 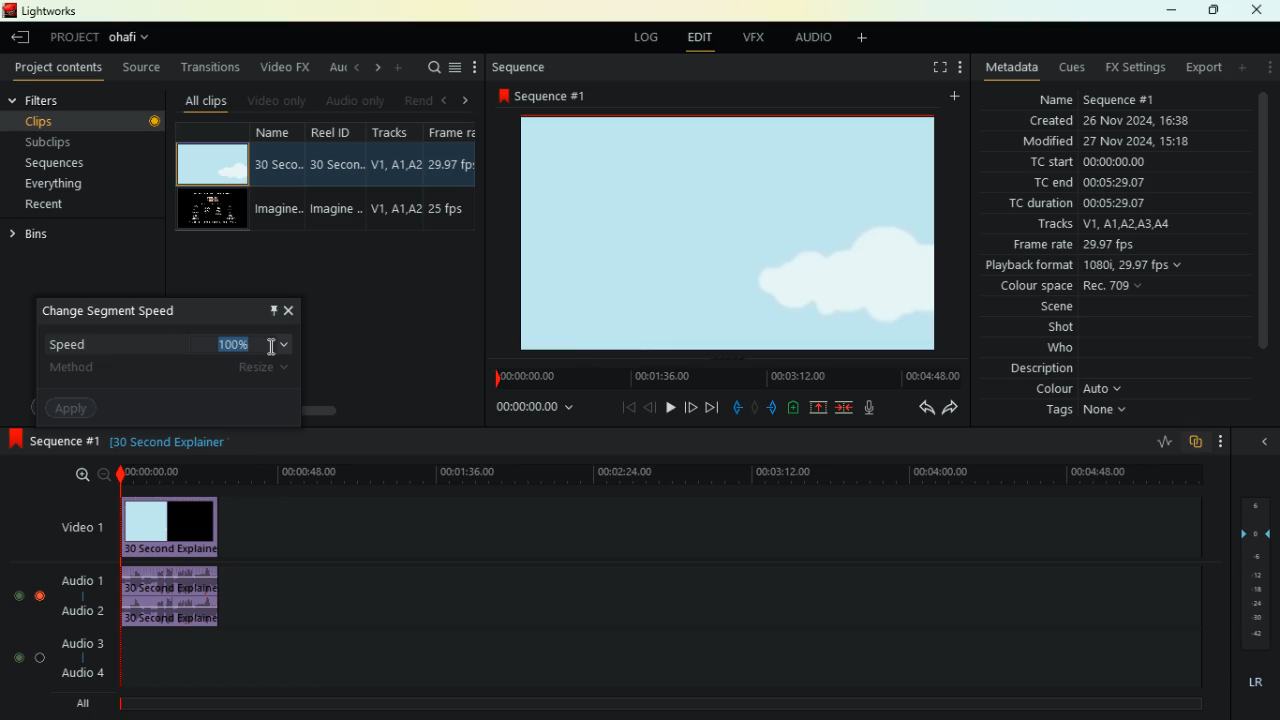 What do you see at coordinates (379, 67) in the screenshot?
I see `right` at bounding box center [379, 67].